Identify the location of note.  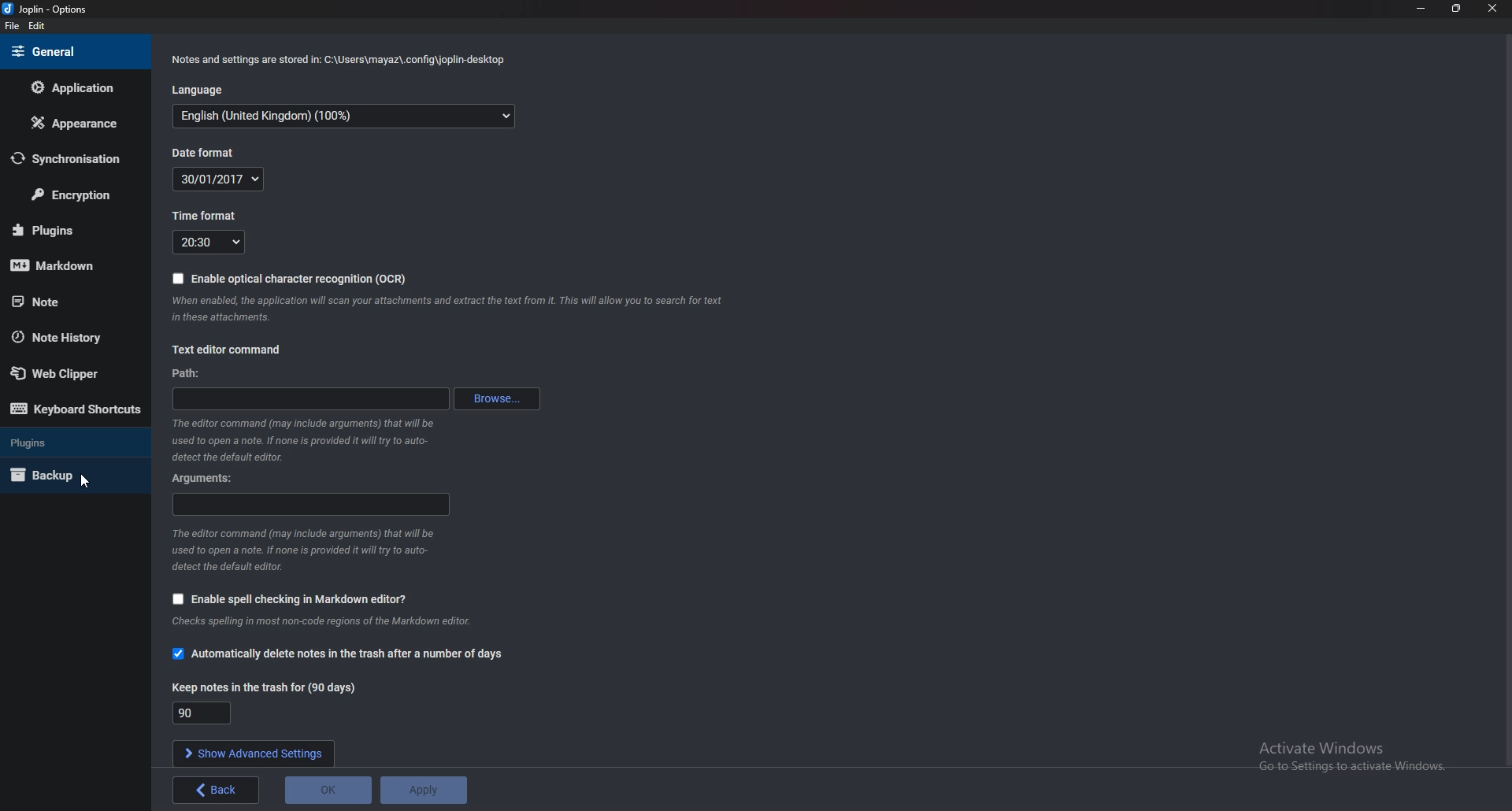
(61, 302).